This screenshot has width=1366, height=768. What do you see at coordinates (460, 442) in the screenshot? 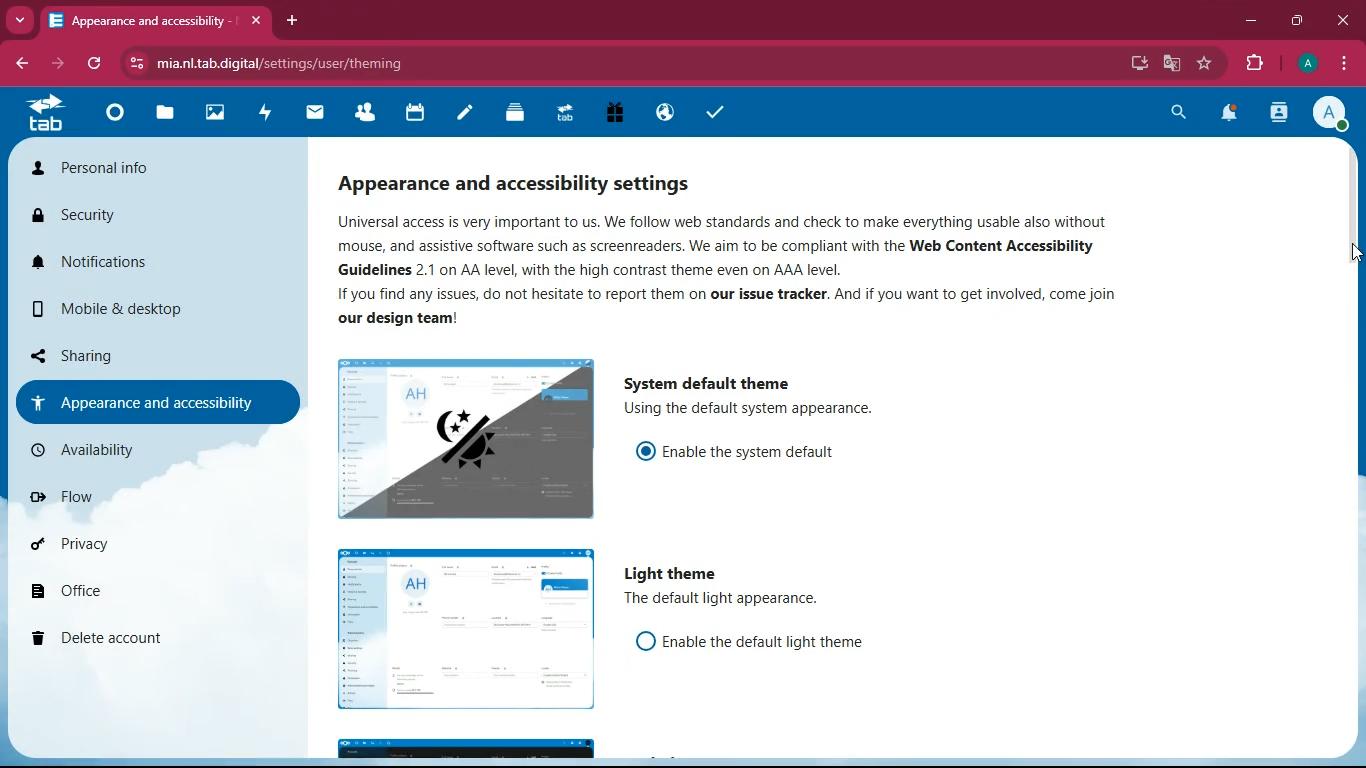
I see `image` at bounding box center [460, 442].